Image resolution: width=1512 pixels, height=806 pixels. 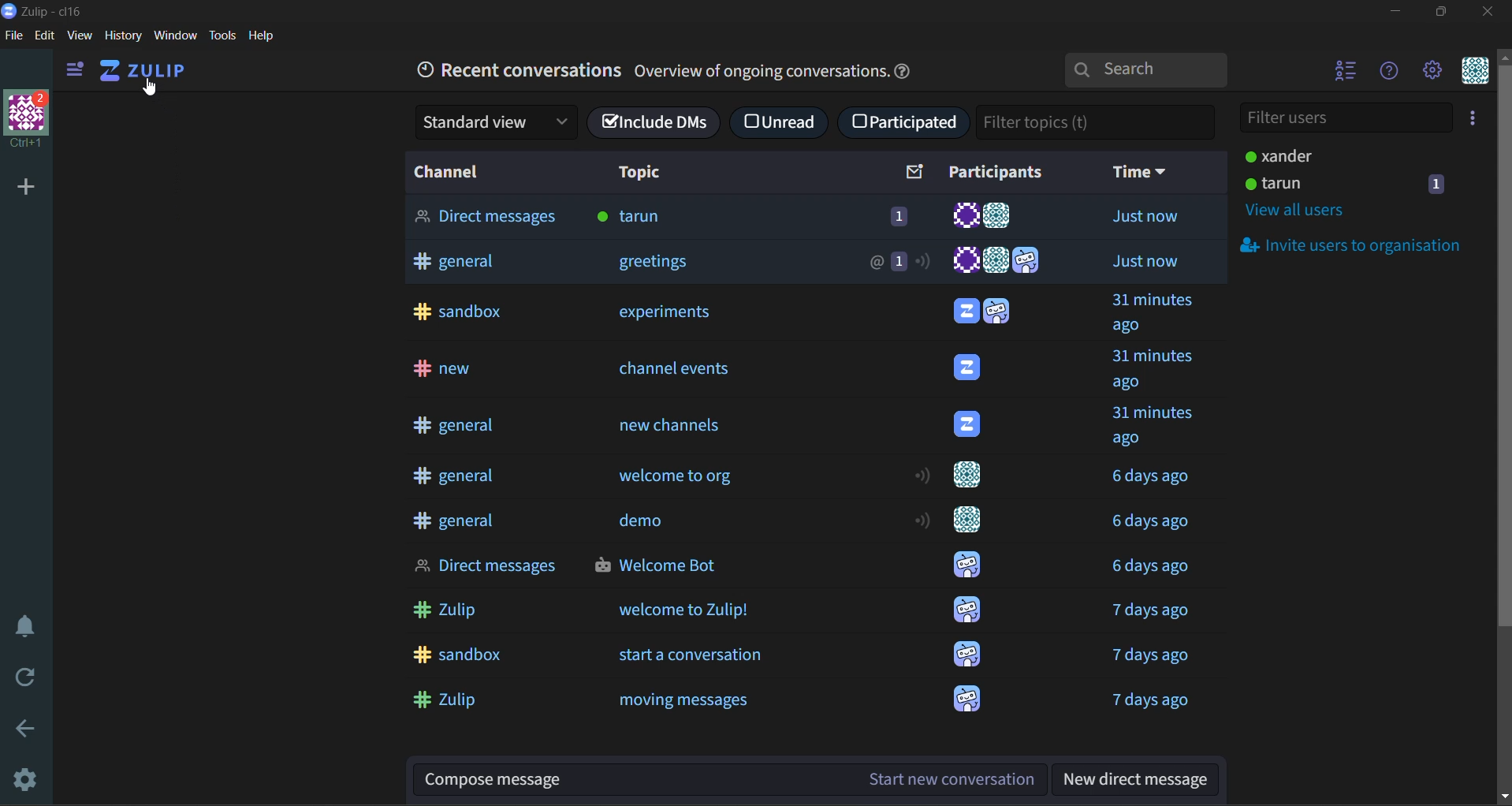 I want to click on history, so click(x=121, y=37).